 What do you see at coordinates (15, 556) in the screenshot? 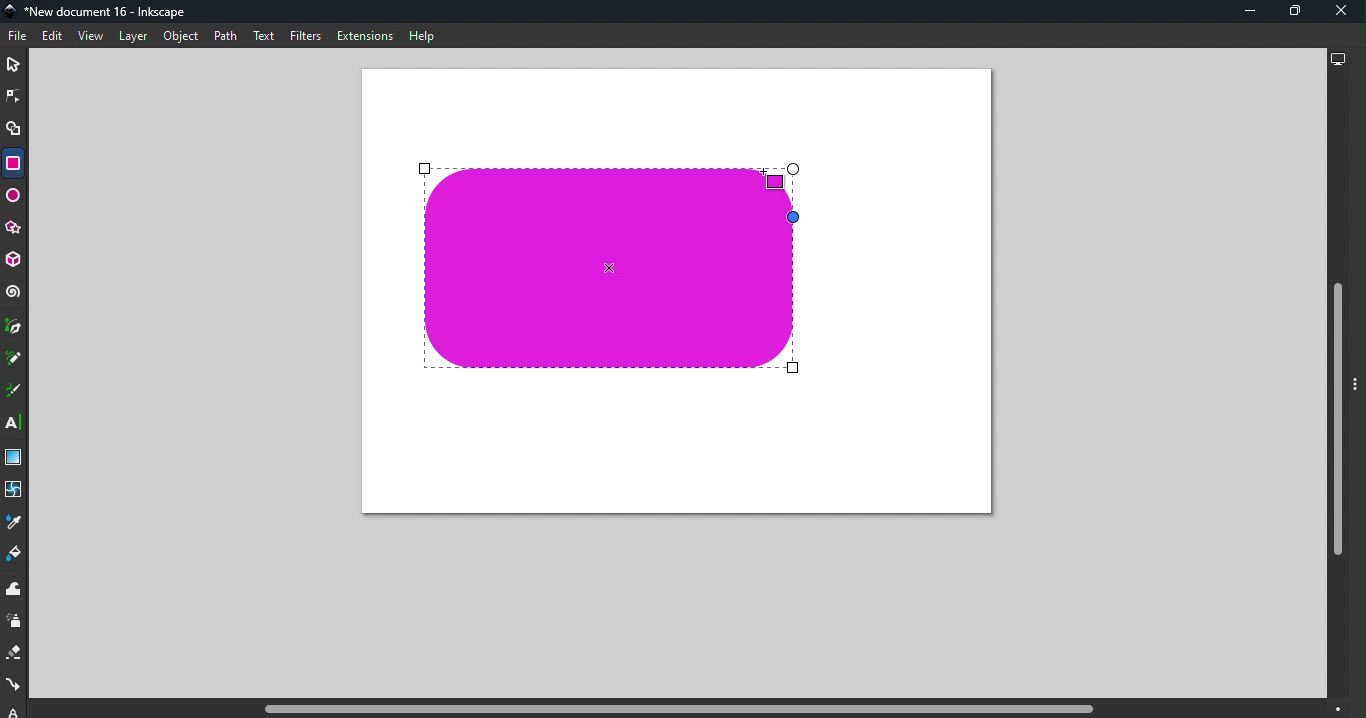
I see `Paint bucket tool` at bounding box center [15, 556].